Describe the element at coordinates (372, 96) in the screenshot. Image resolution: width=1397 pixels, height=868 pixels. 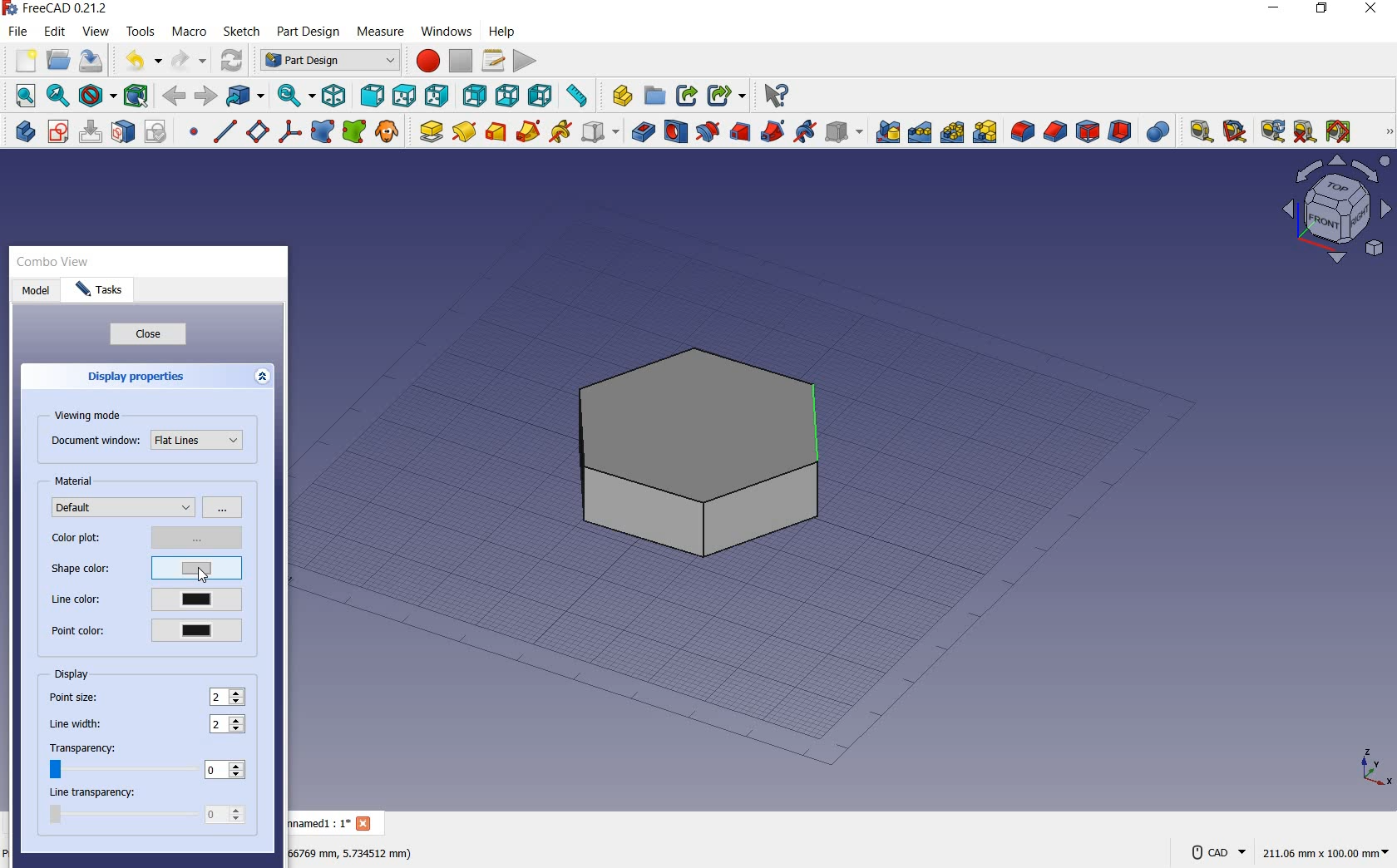
I see `front` at that location.